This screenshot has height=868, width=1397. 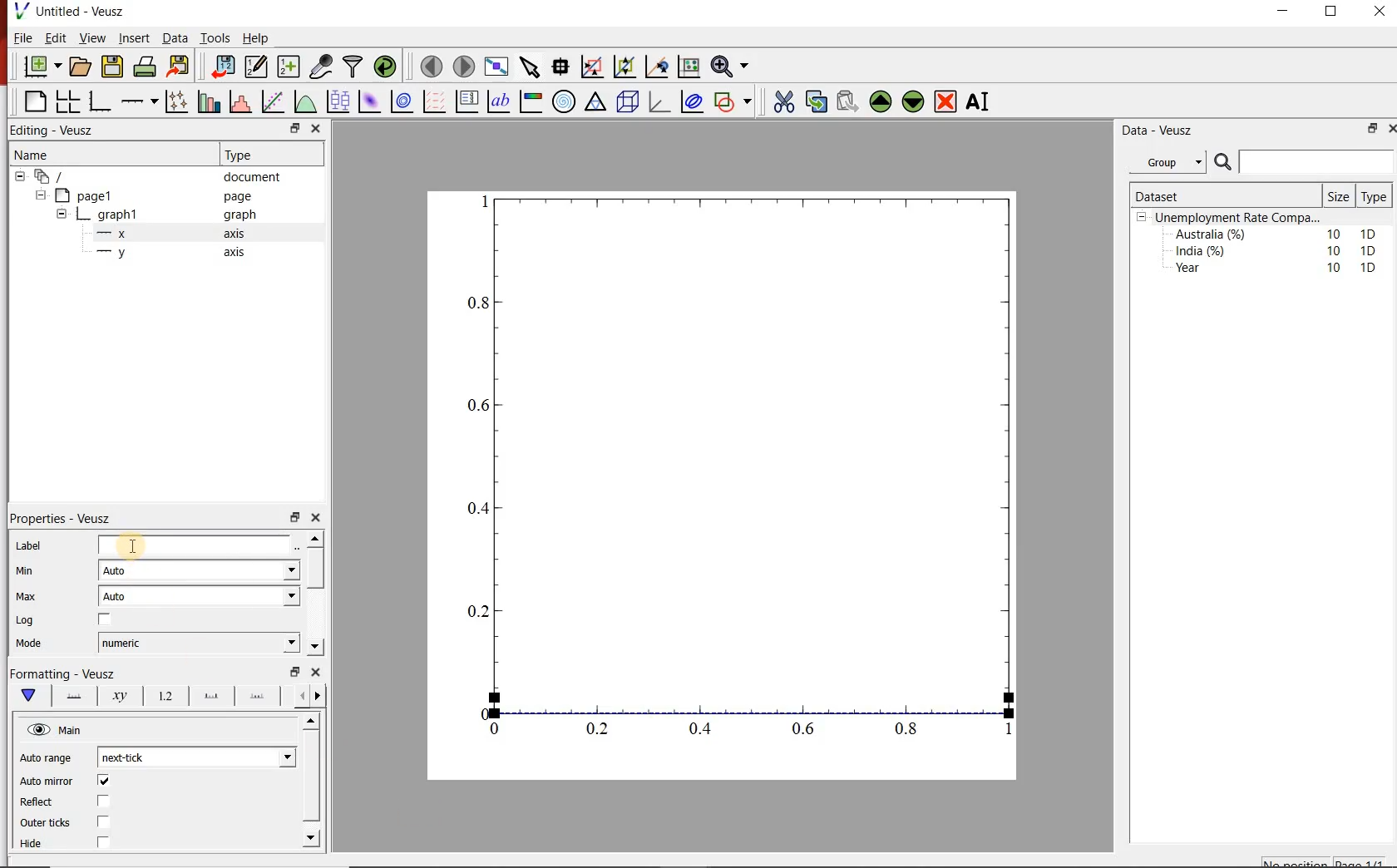 I want to click on axis label, so click(x=119, y=697).